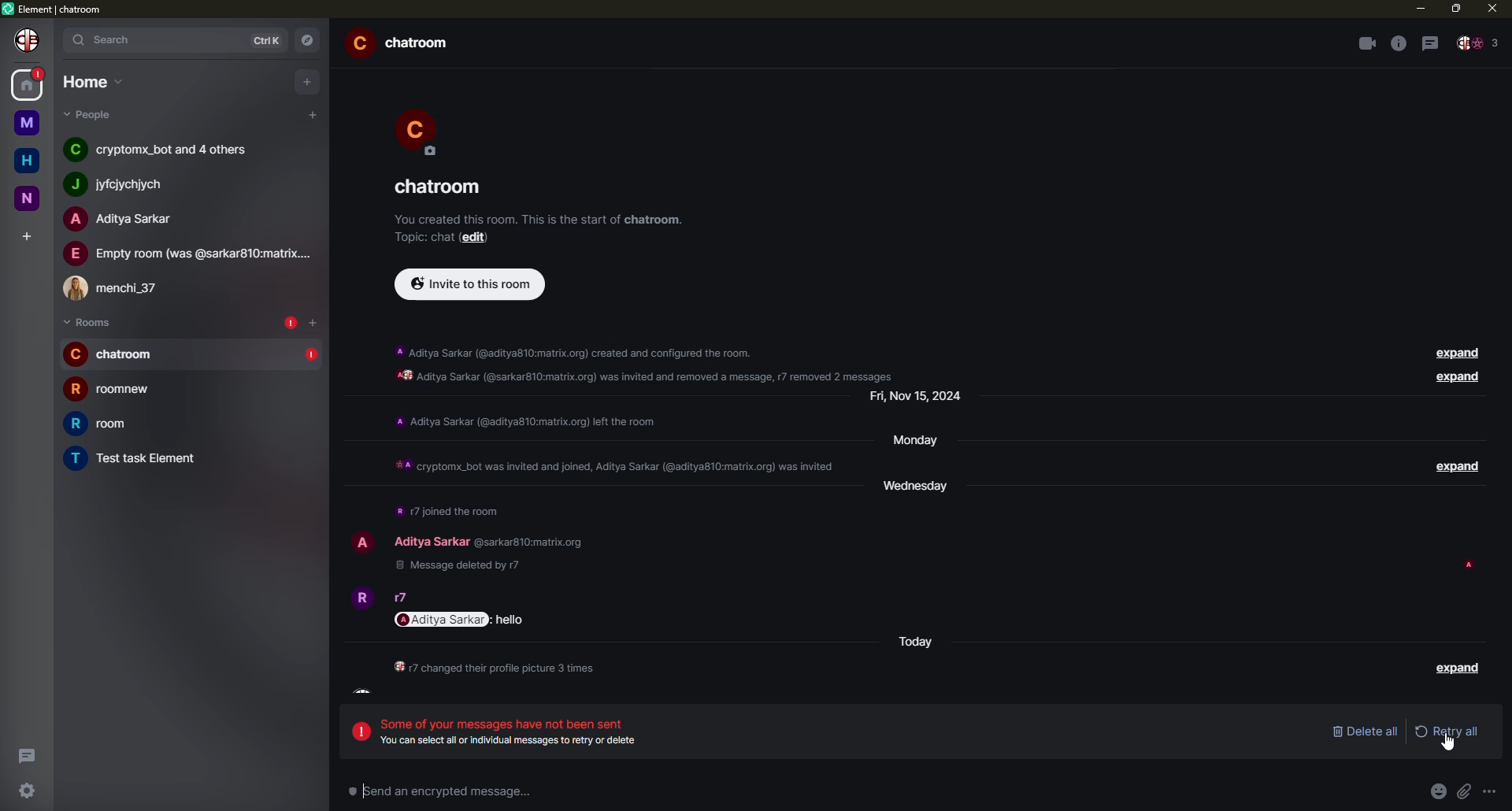 The height and width of the screenshot is (811, 1512). I want to click on info, so click(610, 468).